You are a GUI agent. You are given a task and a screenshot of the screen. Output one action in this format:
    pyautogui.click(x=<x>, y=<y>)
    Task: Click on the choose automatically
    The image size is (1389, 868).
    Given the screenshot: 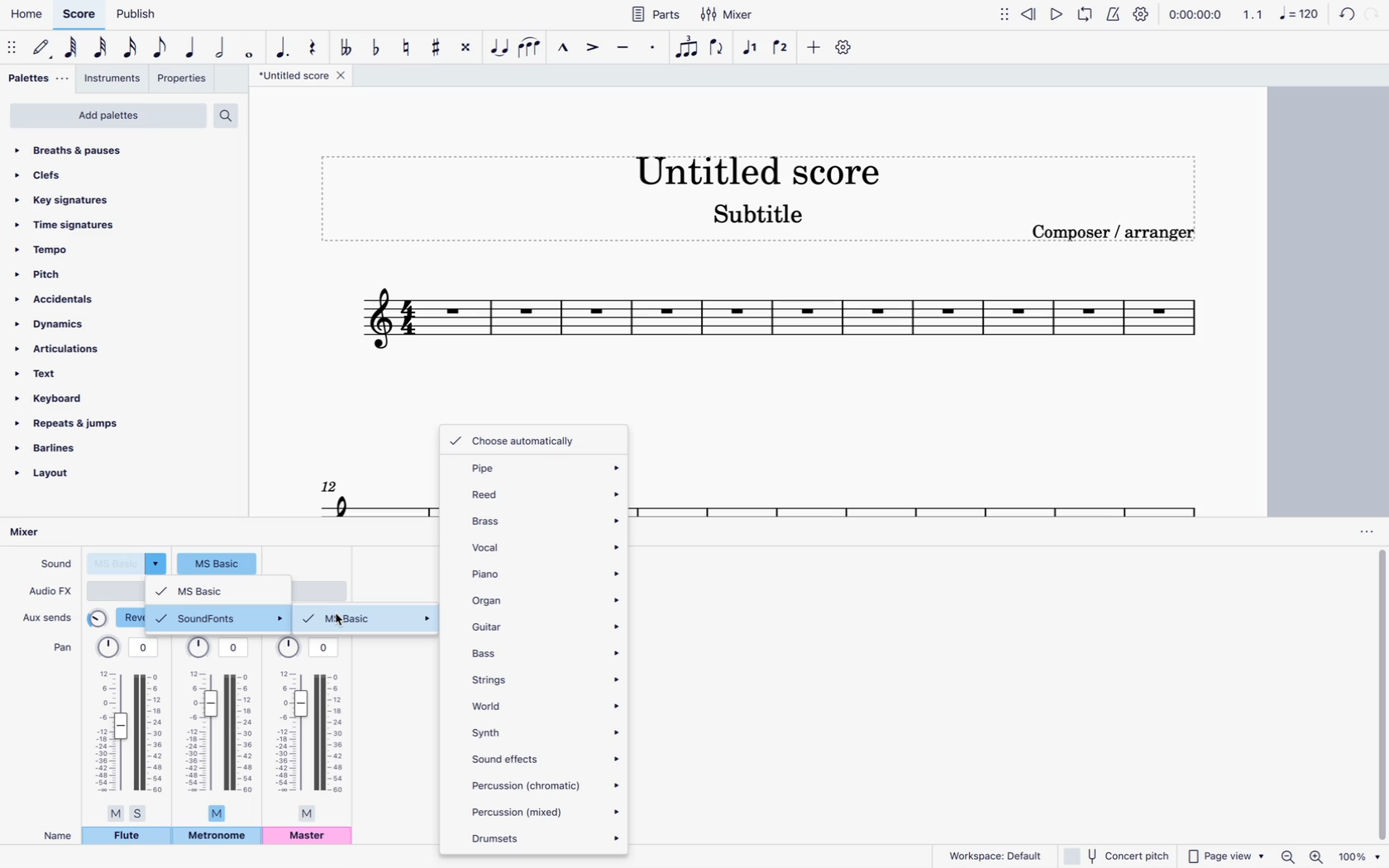 What is the action you would take?
    pyautogui.click(x=522, y=440)
    